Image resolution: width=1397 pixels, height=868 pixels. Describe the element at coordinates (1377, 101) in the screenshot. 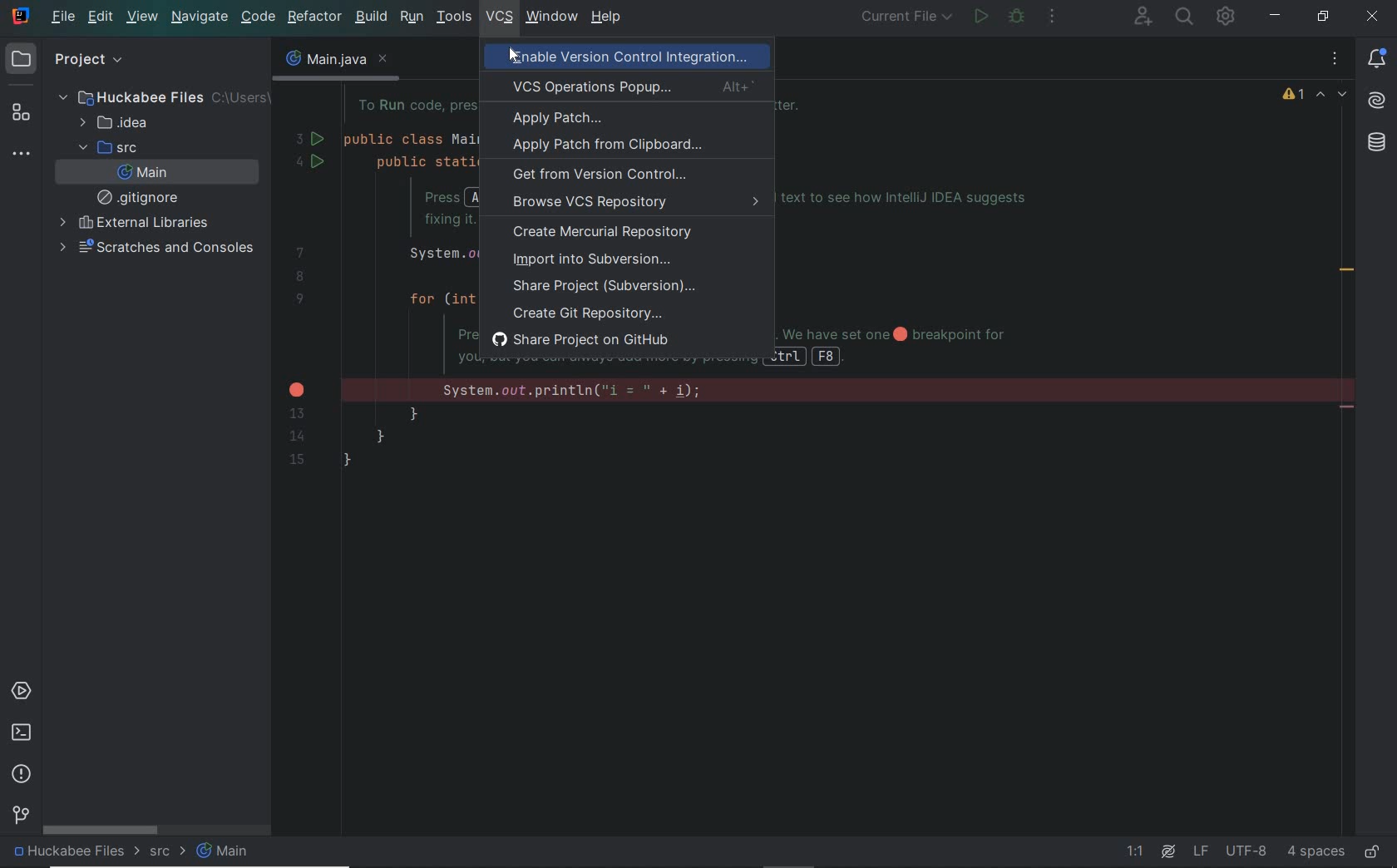

I see `AI Assistant` at that location.